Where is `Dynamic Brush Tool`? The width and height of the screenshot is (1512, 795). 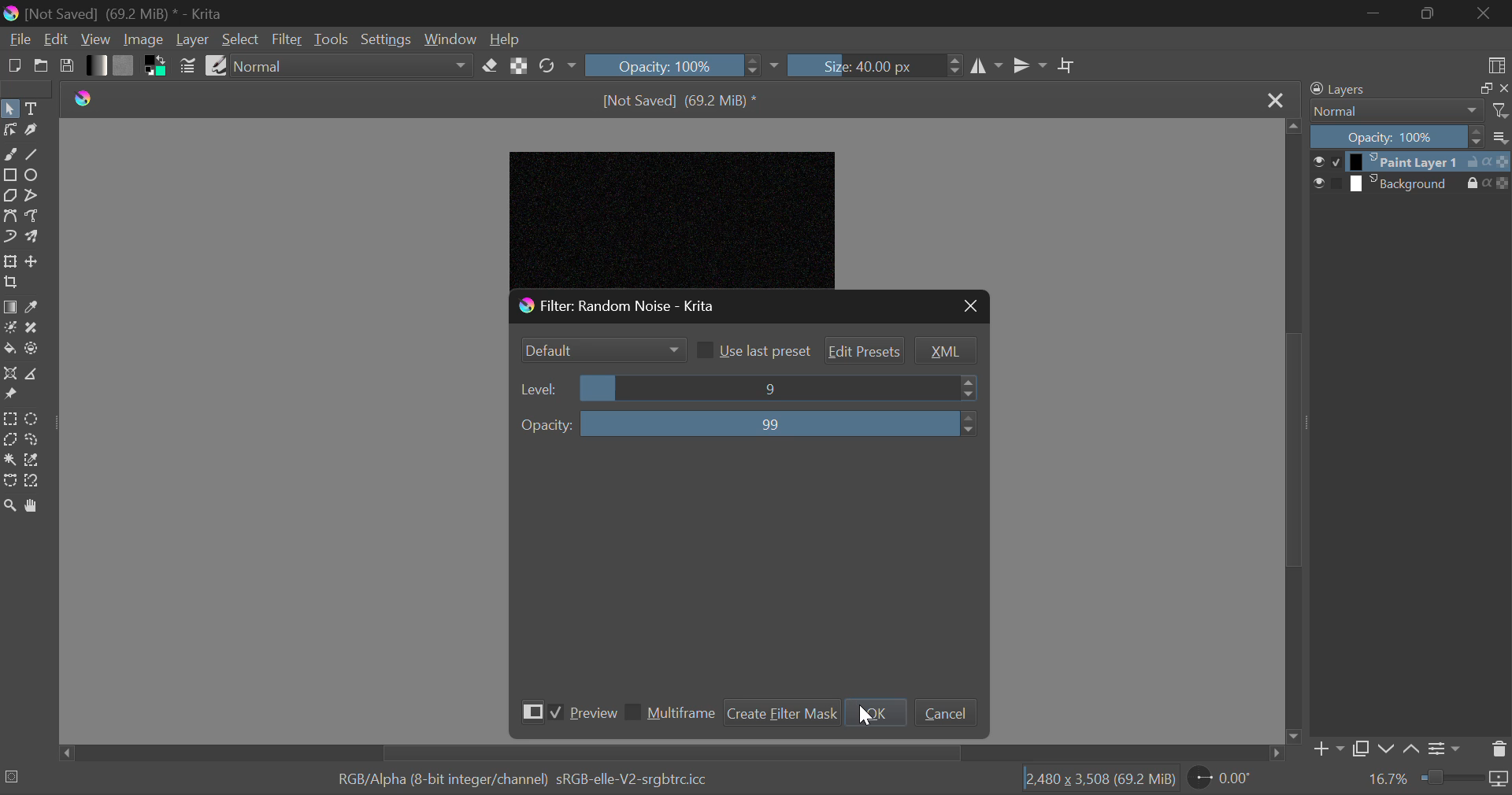
Dynamic Brush Tool is located at coordinates (9, 238).